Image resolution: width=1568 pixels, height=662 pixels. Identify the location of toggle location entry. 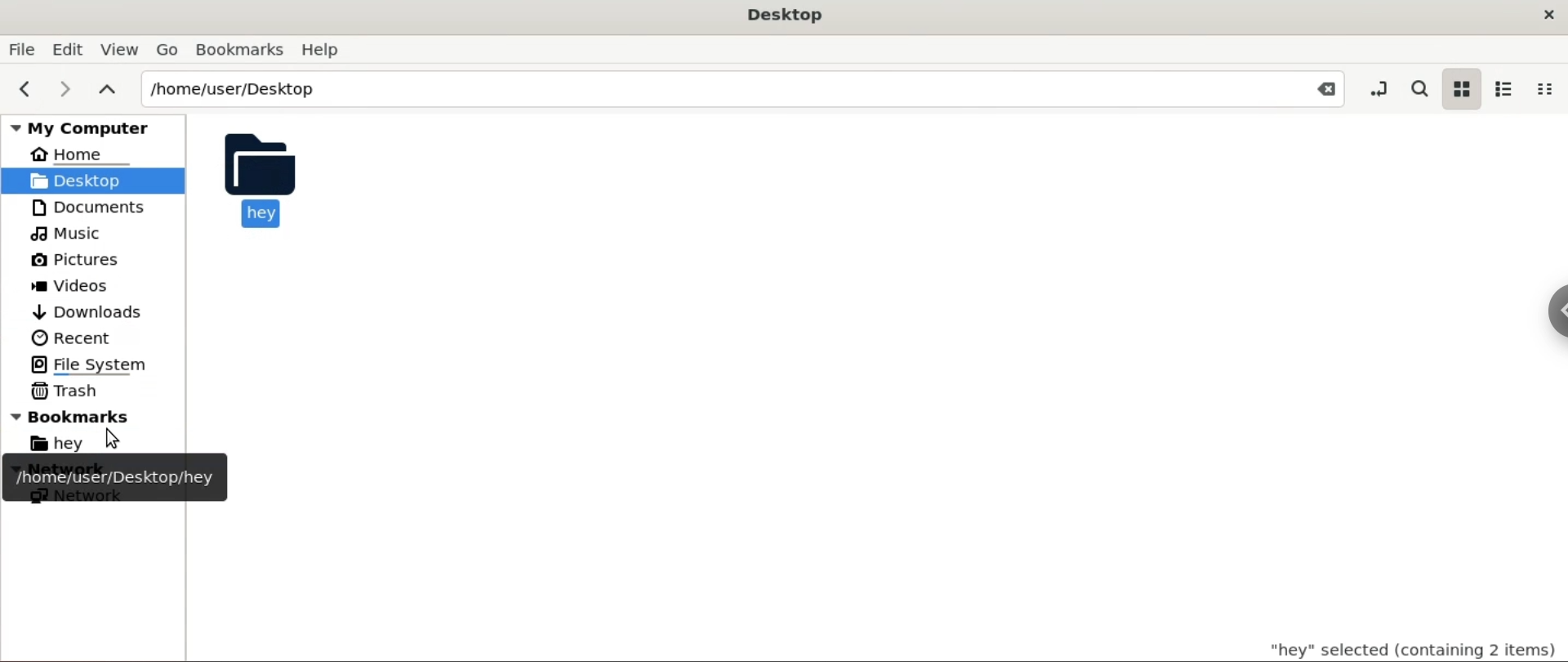
(1374, 89).